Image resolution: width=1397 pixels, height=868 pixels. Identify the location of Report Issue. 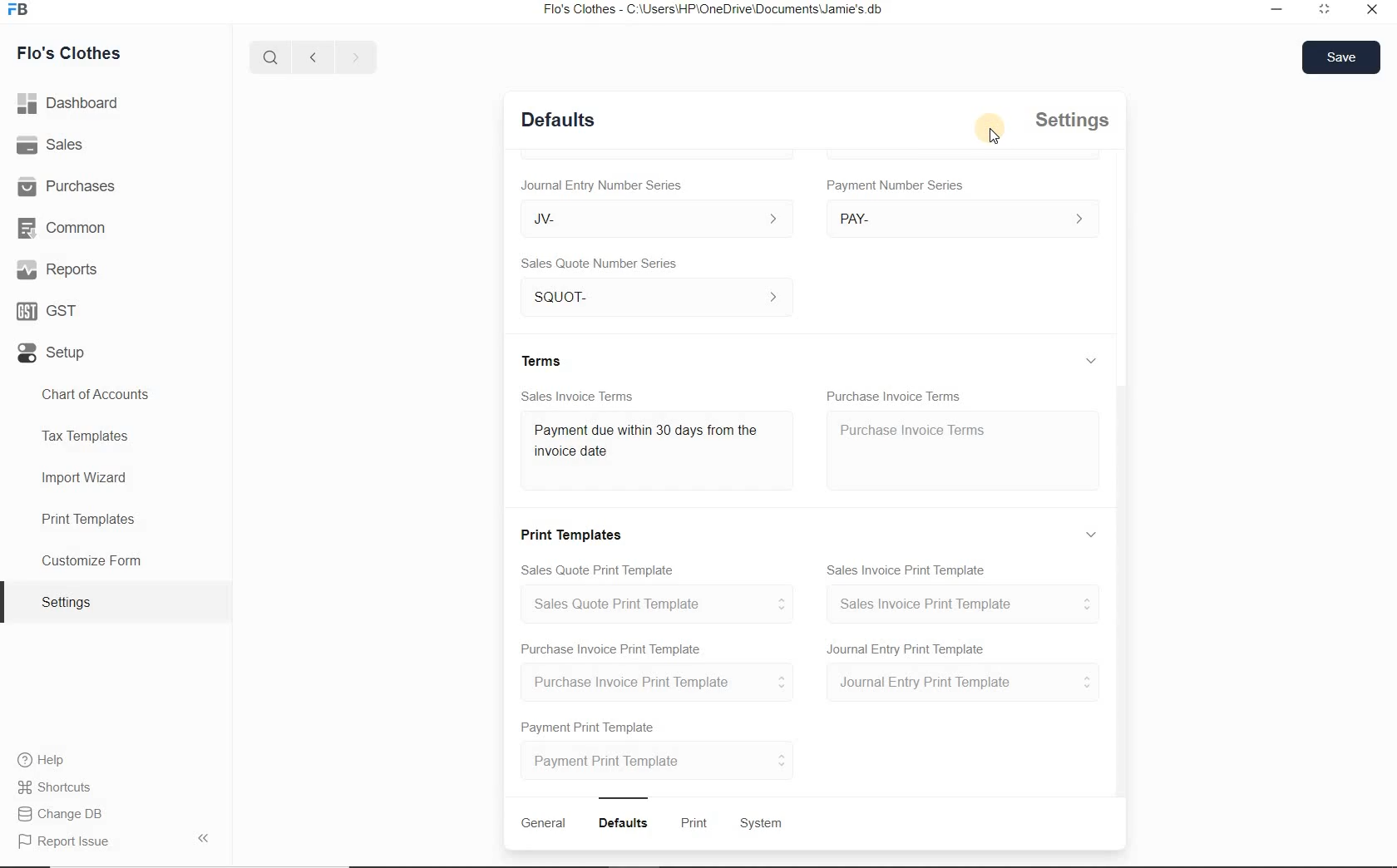
(115, 839).